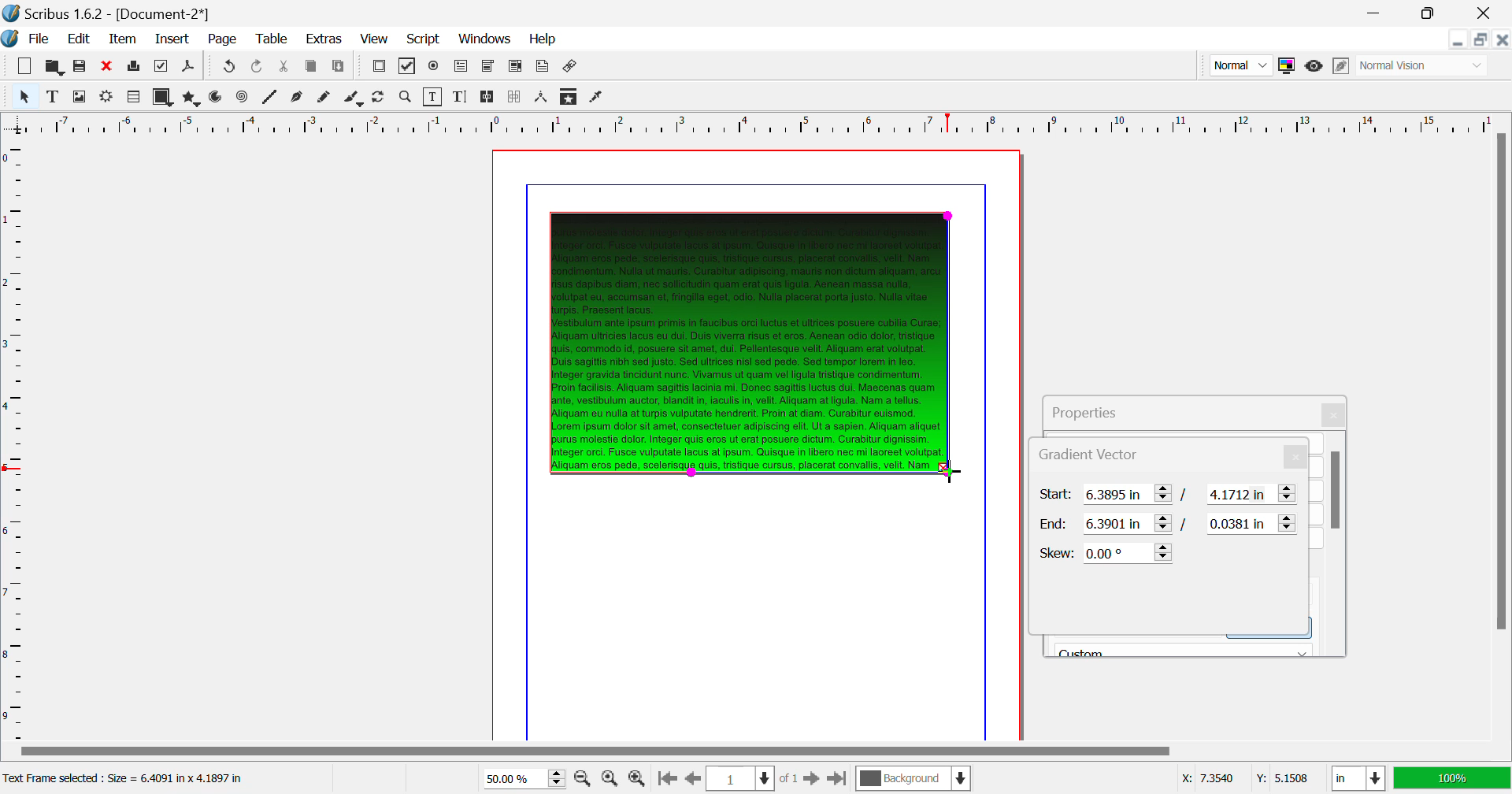 The height and width of the screenshot is (794, 1512). I want to click on Polygons, so click(190, 98).